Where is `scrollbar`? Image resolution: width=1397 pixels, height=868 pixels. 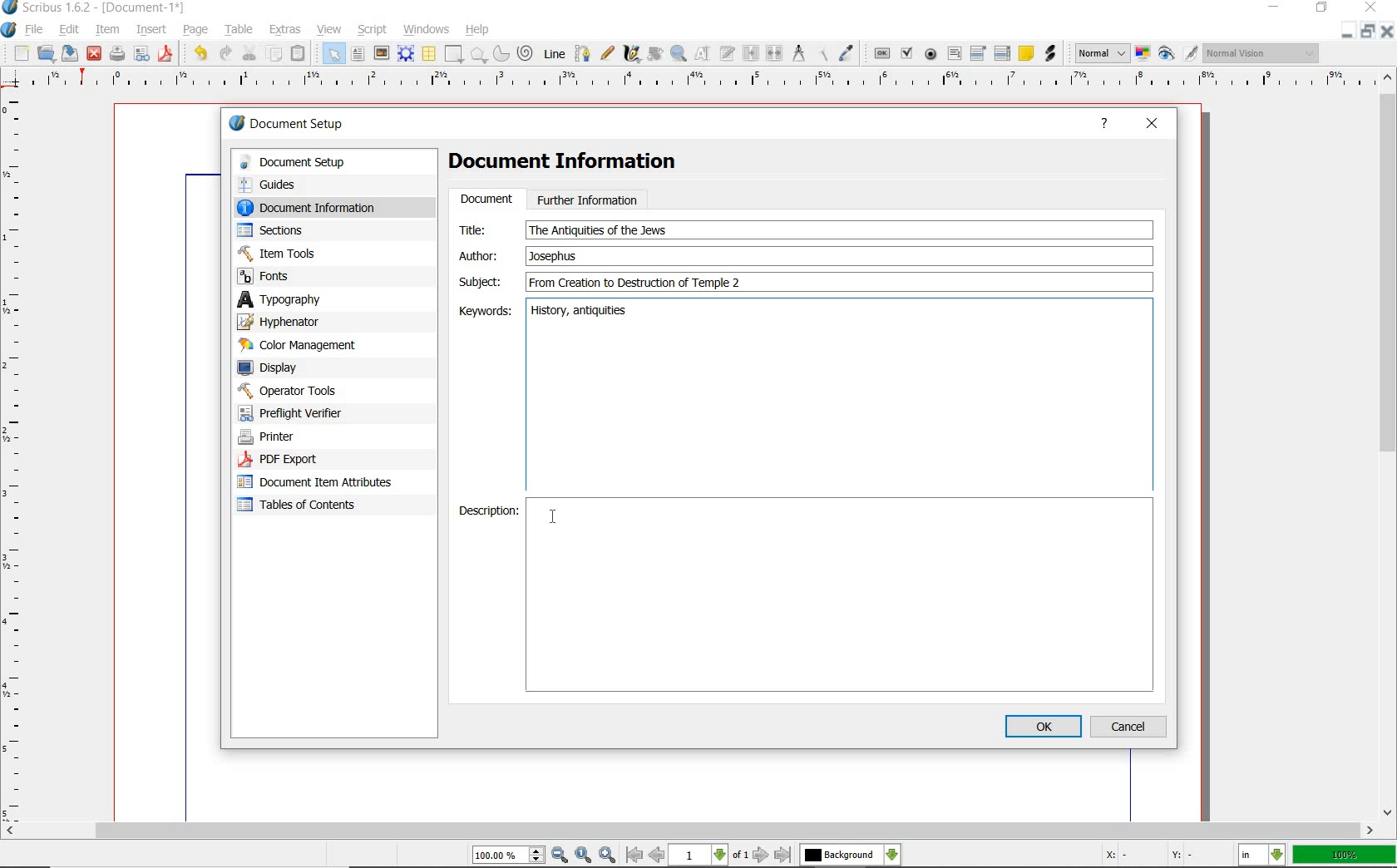
scrollbar is located at coordinates (689, 831).